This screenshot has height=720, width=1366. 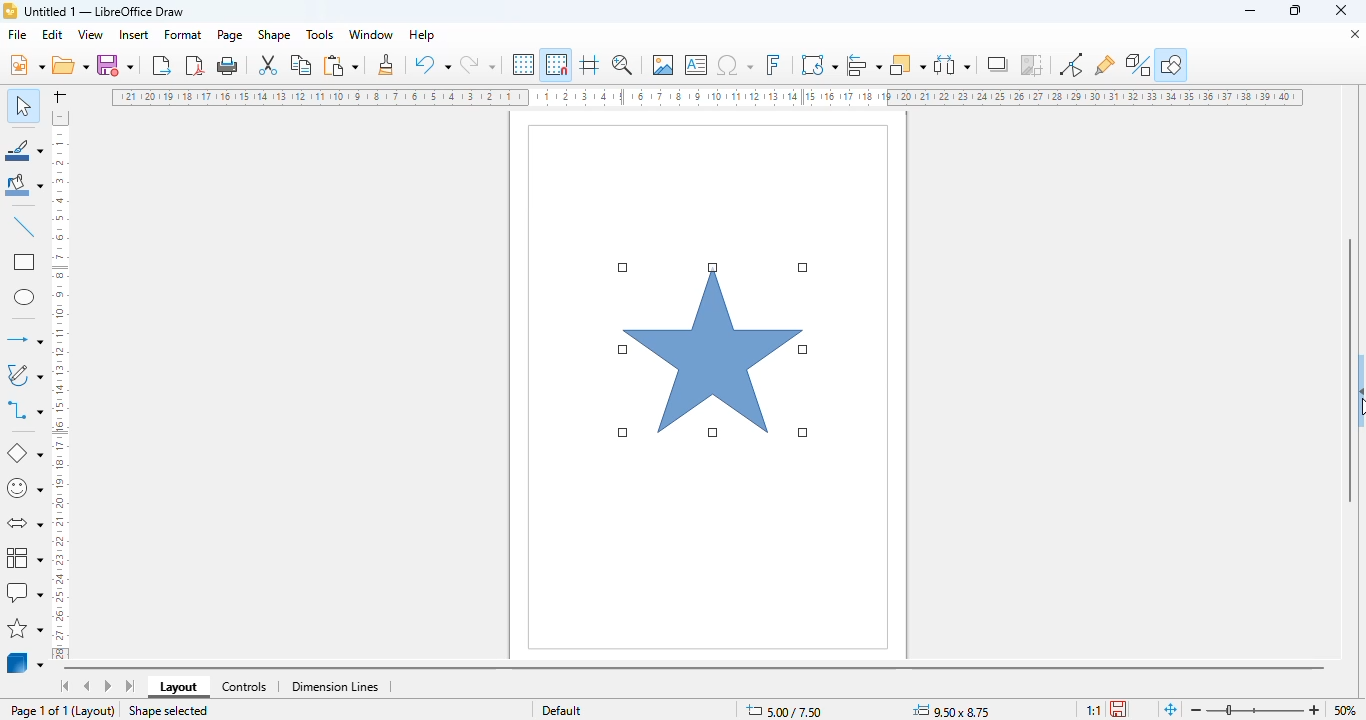 What do you see at coordinates (334, 686) in the screenshot?
I see `dimension lines` at bounding box center [334, 686].